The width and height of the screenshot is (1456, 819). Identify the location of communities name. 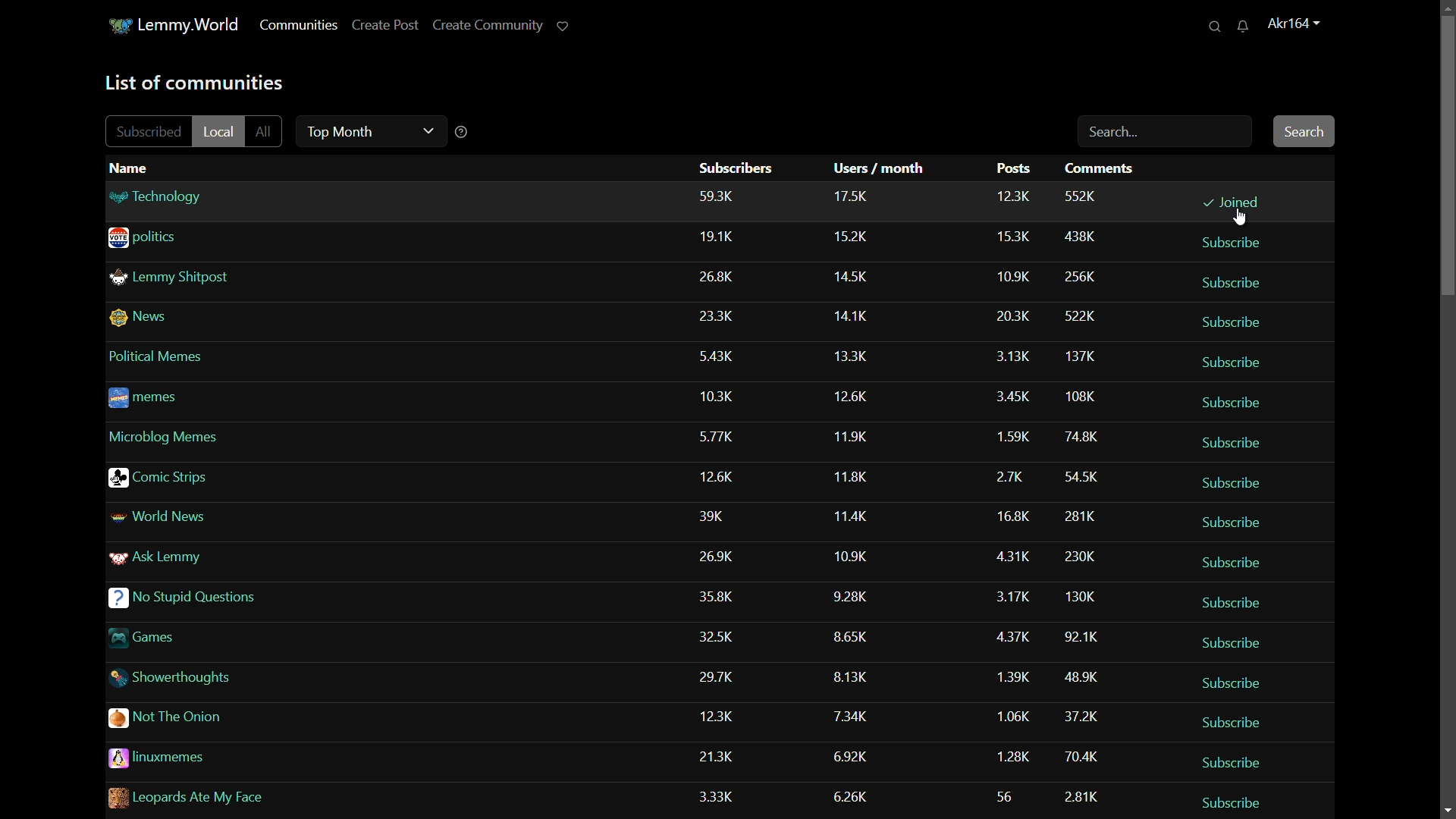
(326, 237).